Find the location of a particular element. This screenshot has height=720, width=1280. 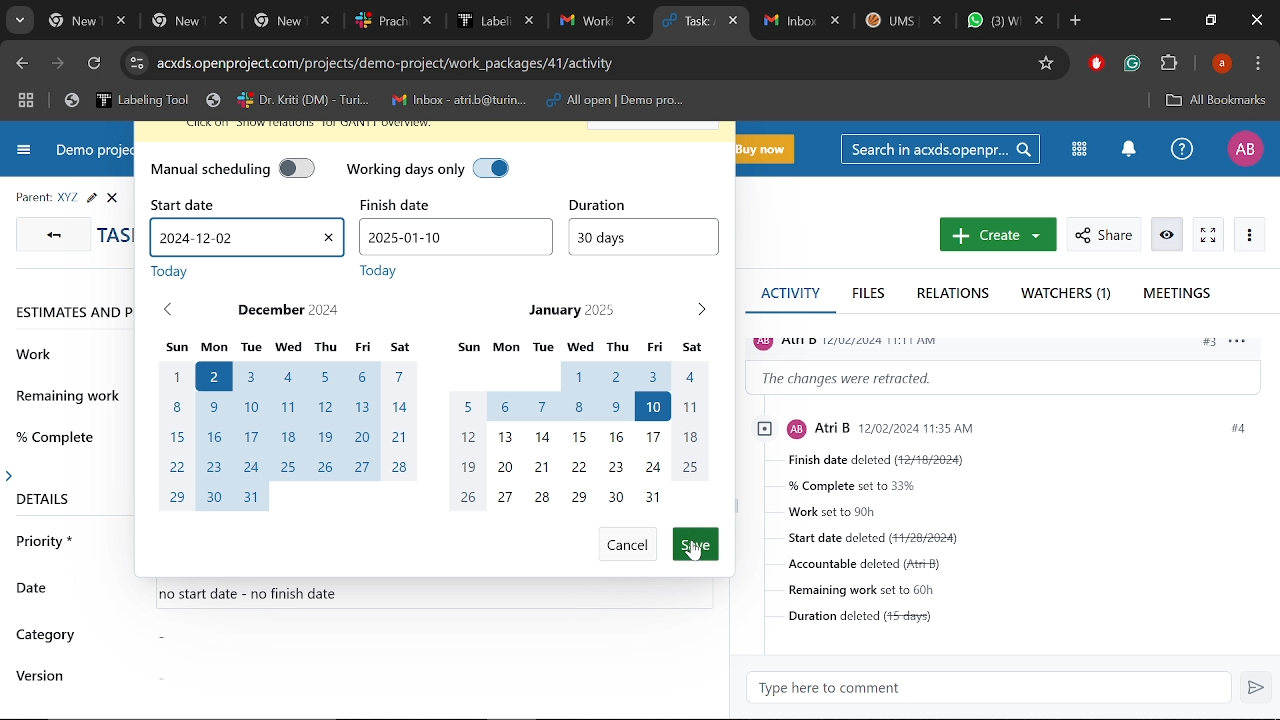

category is located at coordinates (47, 636).